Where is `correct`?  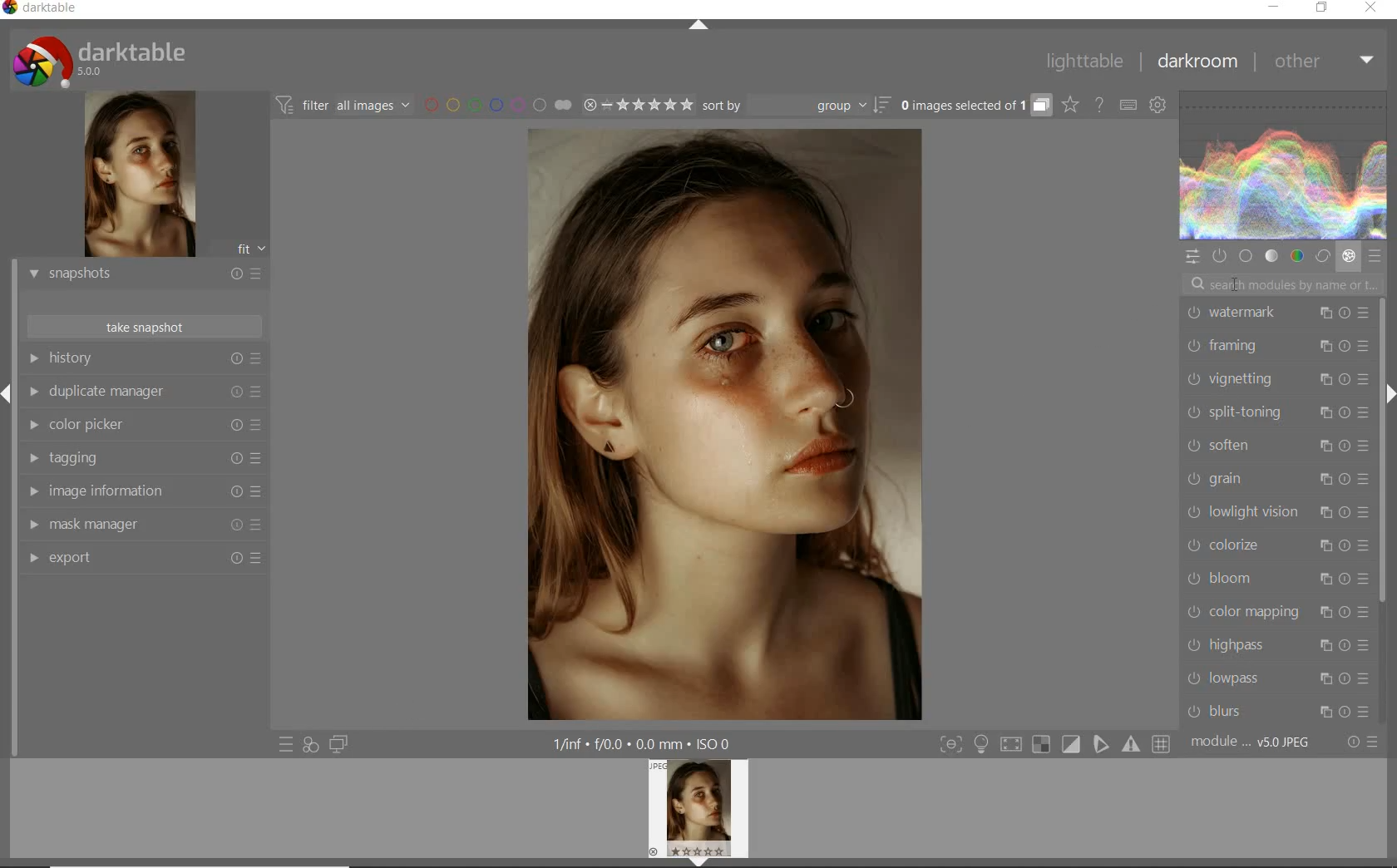 correct is located at coordinates (1322, 258).